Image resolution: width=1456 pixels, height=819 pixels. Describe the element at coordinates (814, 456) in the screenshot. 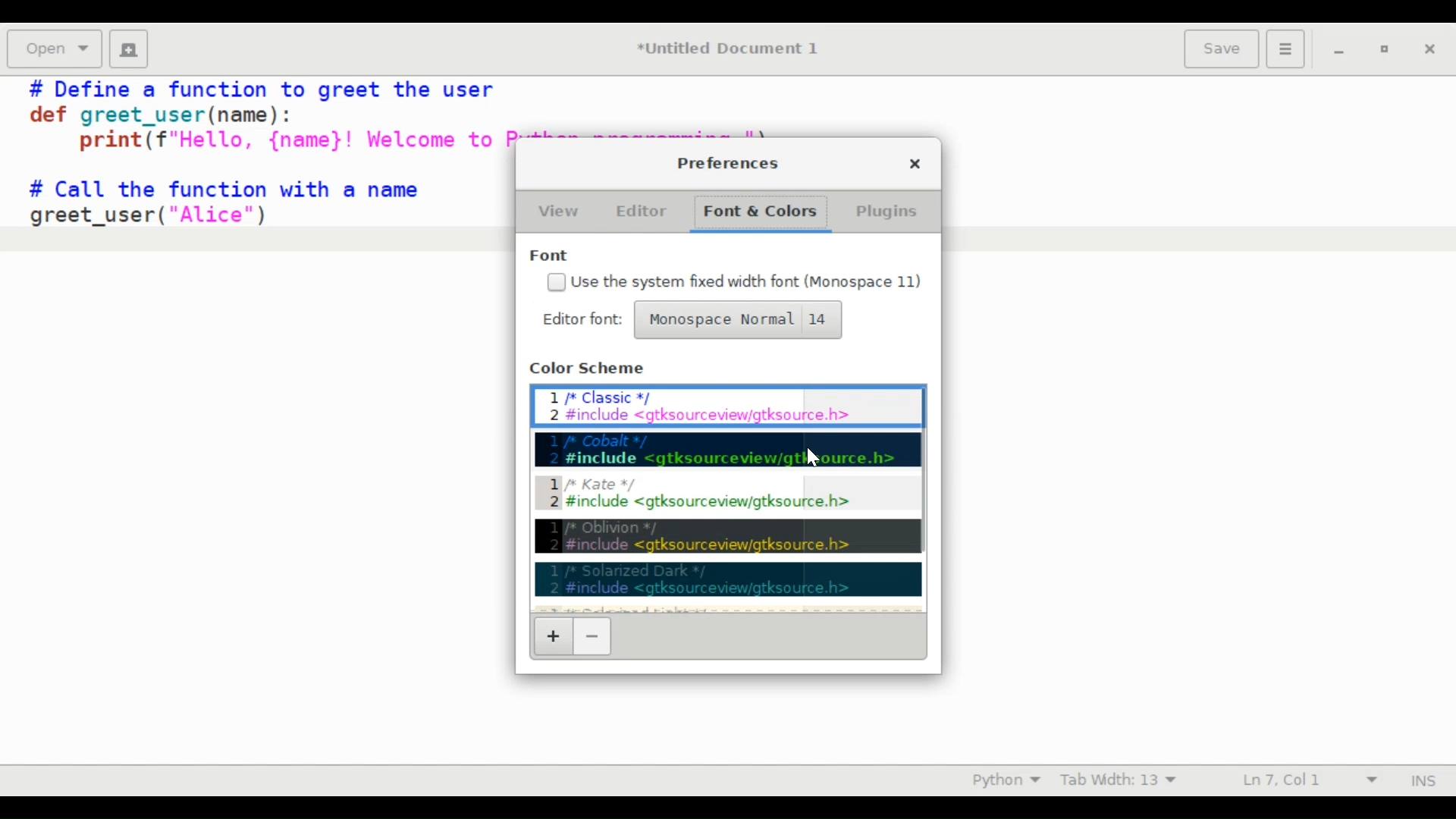

I see `Cursor` at that location.